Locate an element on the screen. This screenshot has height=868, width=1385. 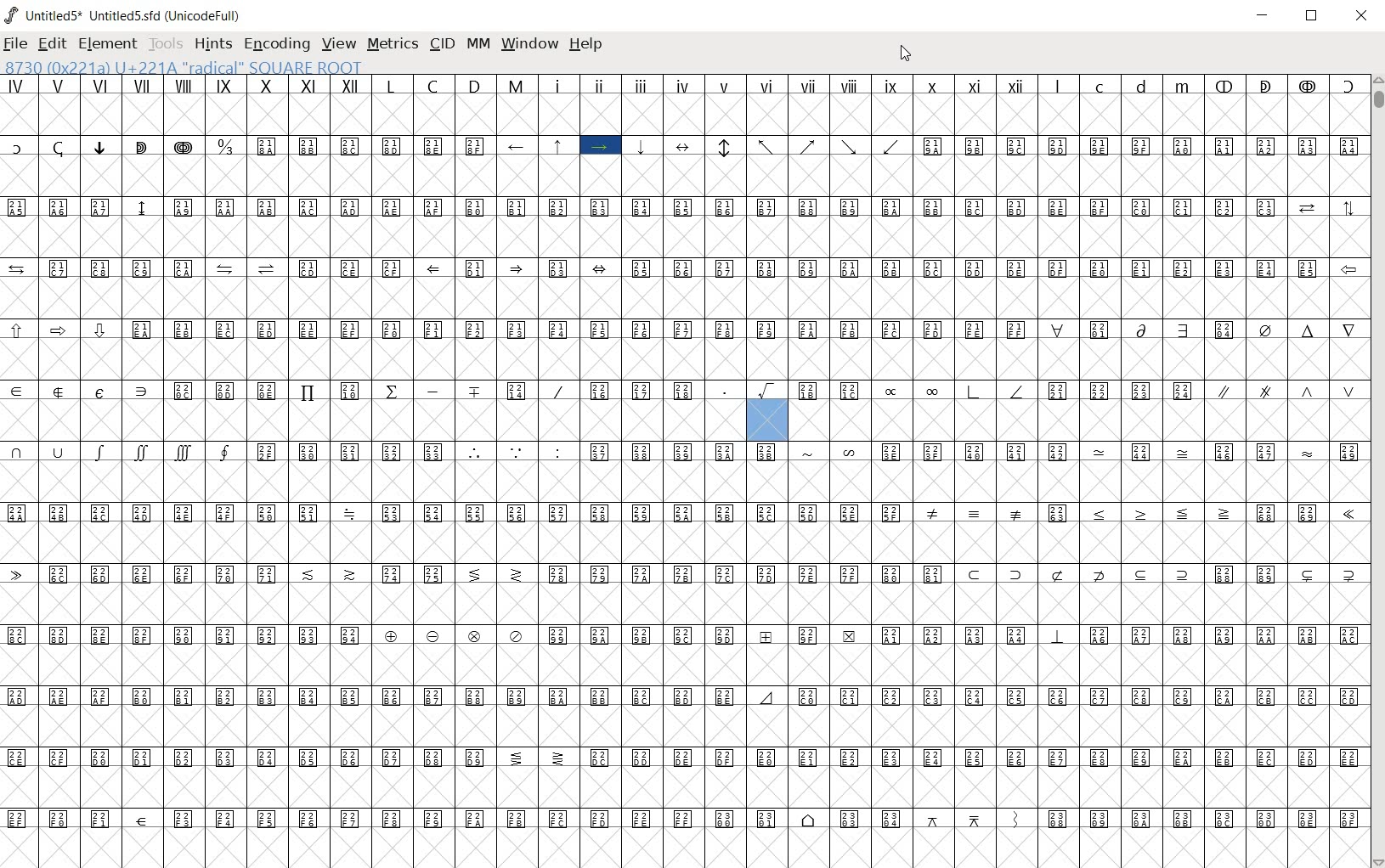
MINIMIZE is located at coordinates (1263, 16).